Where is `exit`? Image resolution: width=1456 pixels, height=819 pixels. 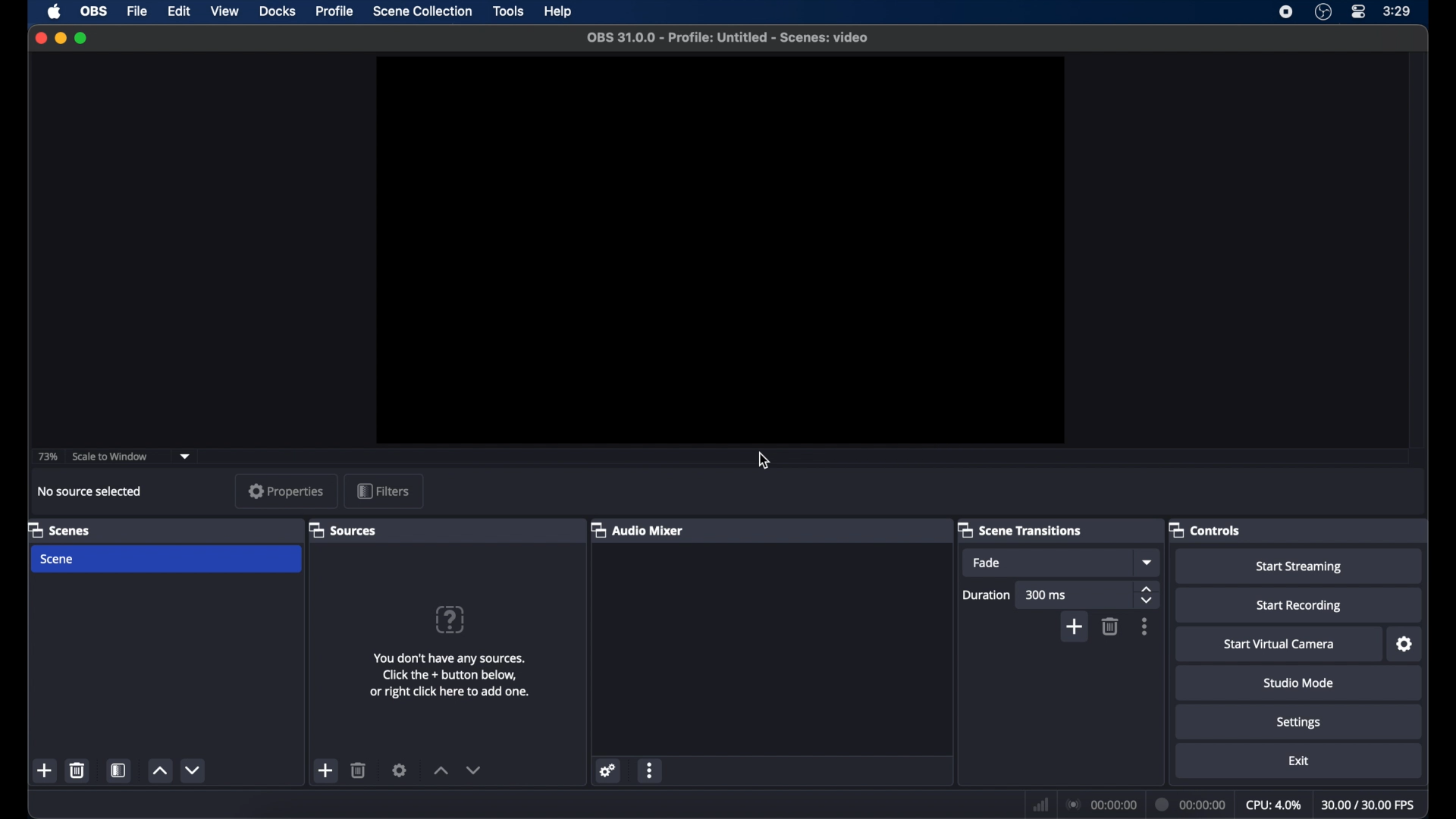
exit is located at coordinates (1301, 761).